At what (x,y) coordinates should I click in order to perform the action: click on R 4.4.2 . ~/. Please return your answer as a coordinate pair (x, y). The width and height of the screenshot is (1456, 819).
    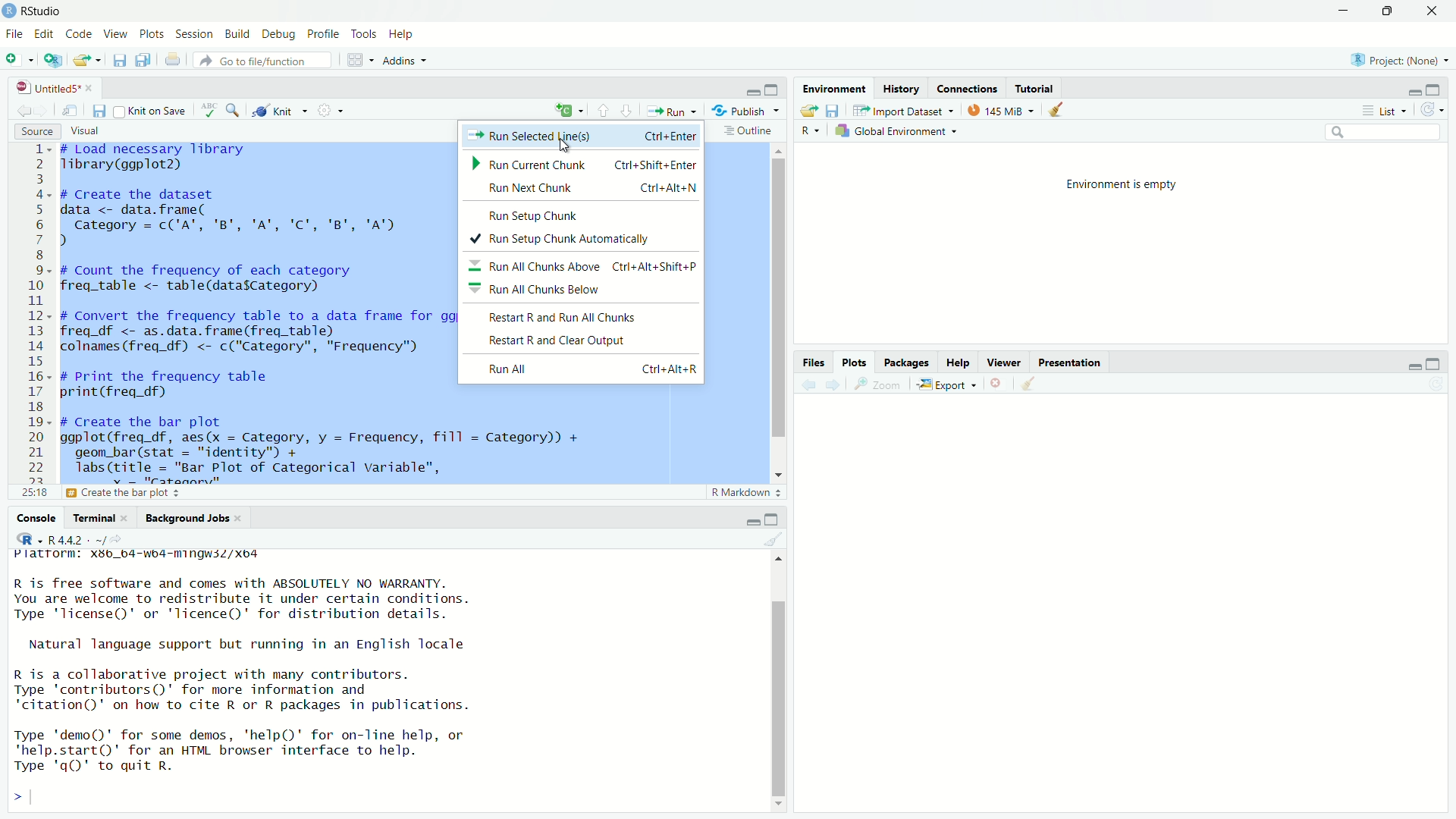
    Looking at the image, I should click on (79, 540).